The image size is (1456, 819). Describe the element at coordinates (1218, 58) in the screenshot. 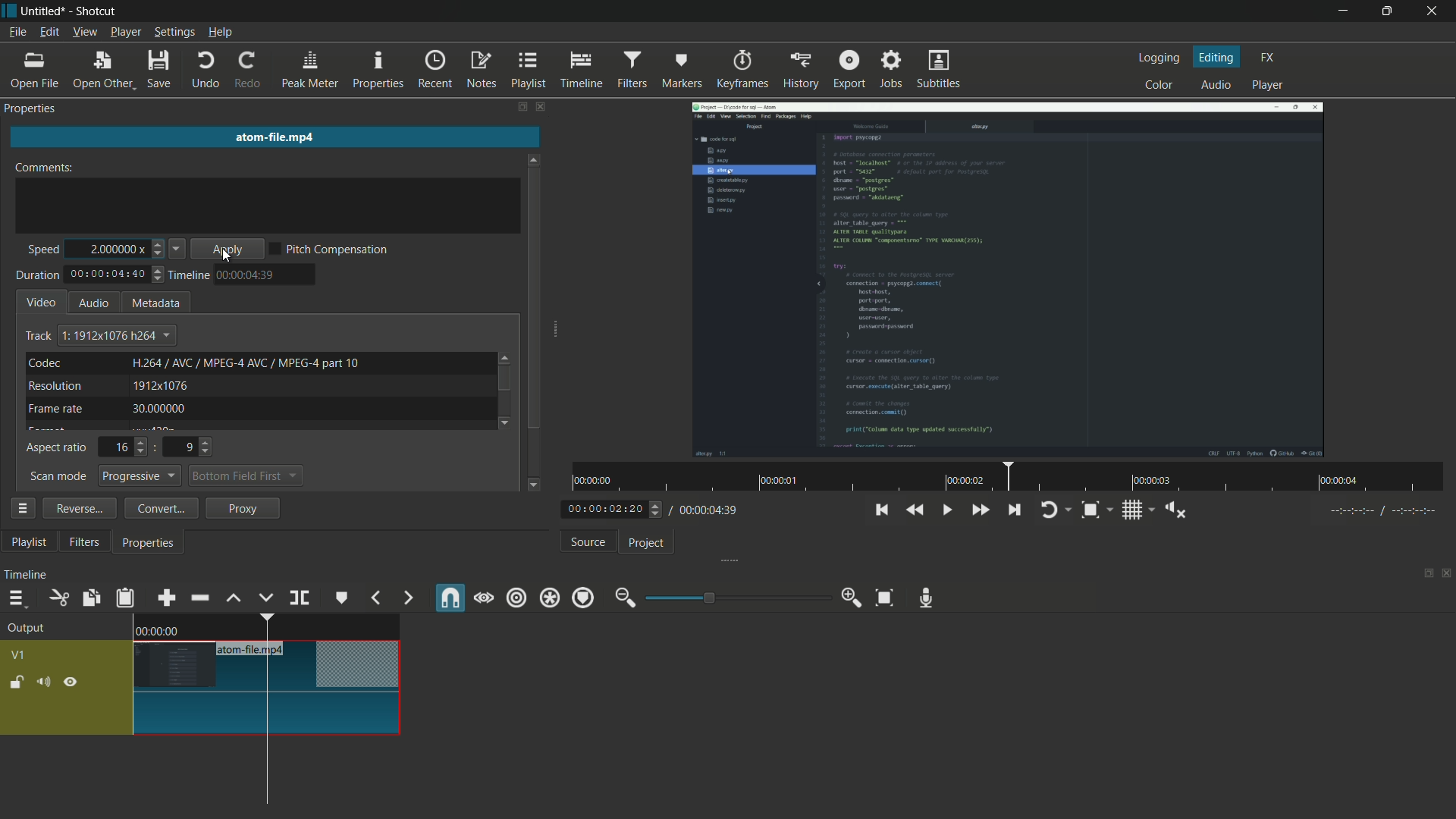

I see `editing` at that location.